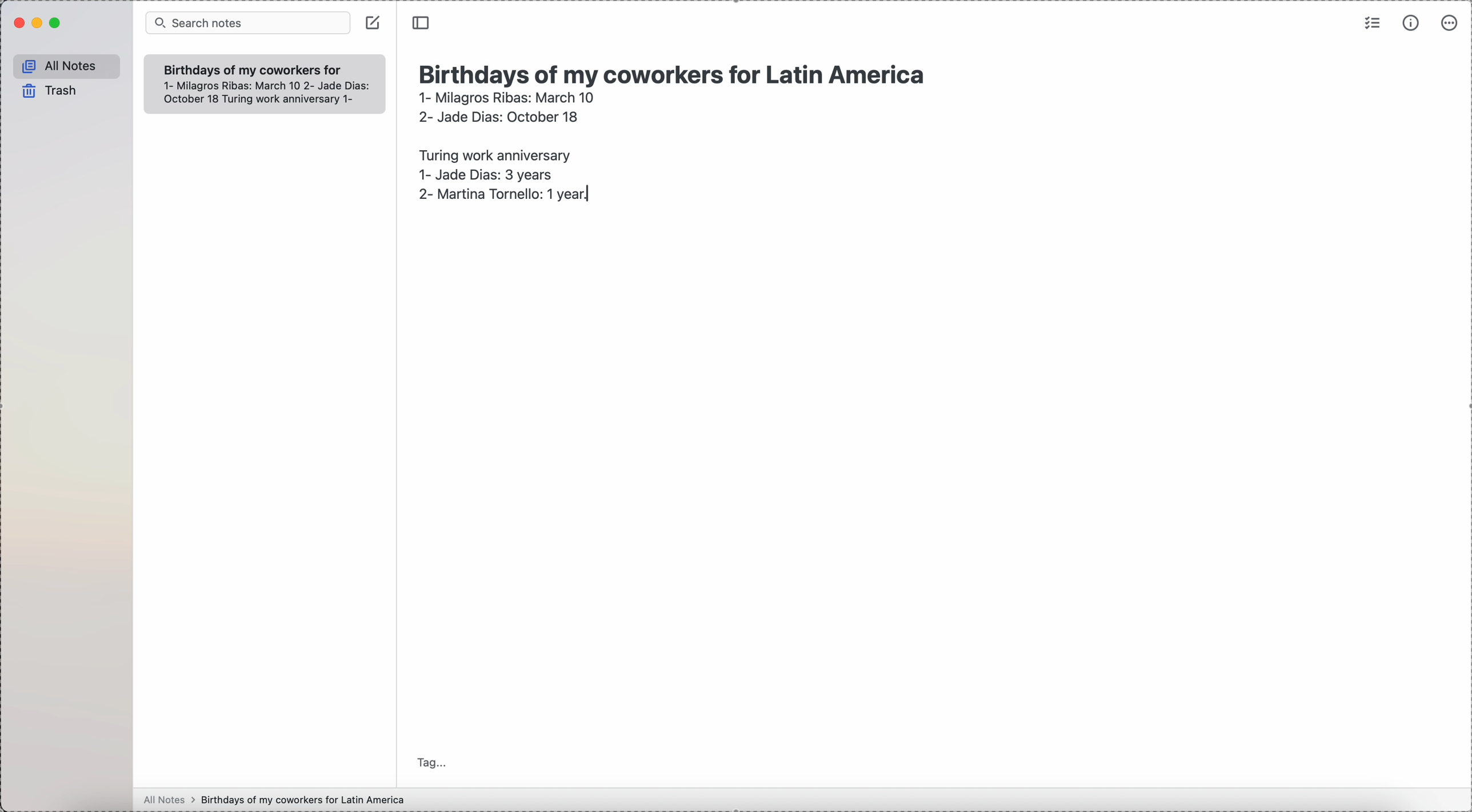 Image resolution: width=1472 pixels, height=812 pixels. I want to click on maximize Simplenote, so click(56, 23).